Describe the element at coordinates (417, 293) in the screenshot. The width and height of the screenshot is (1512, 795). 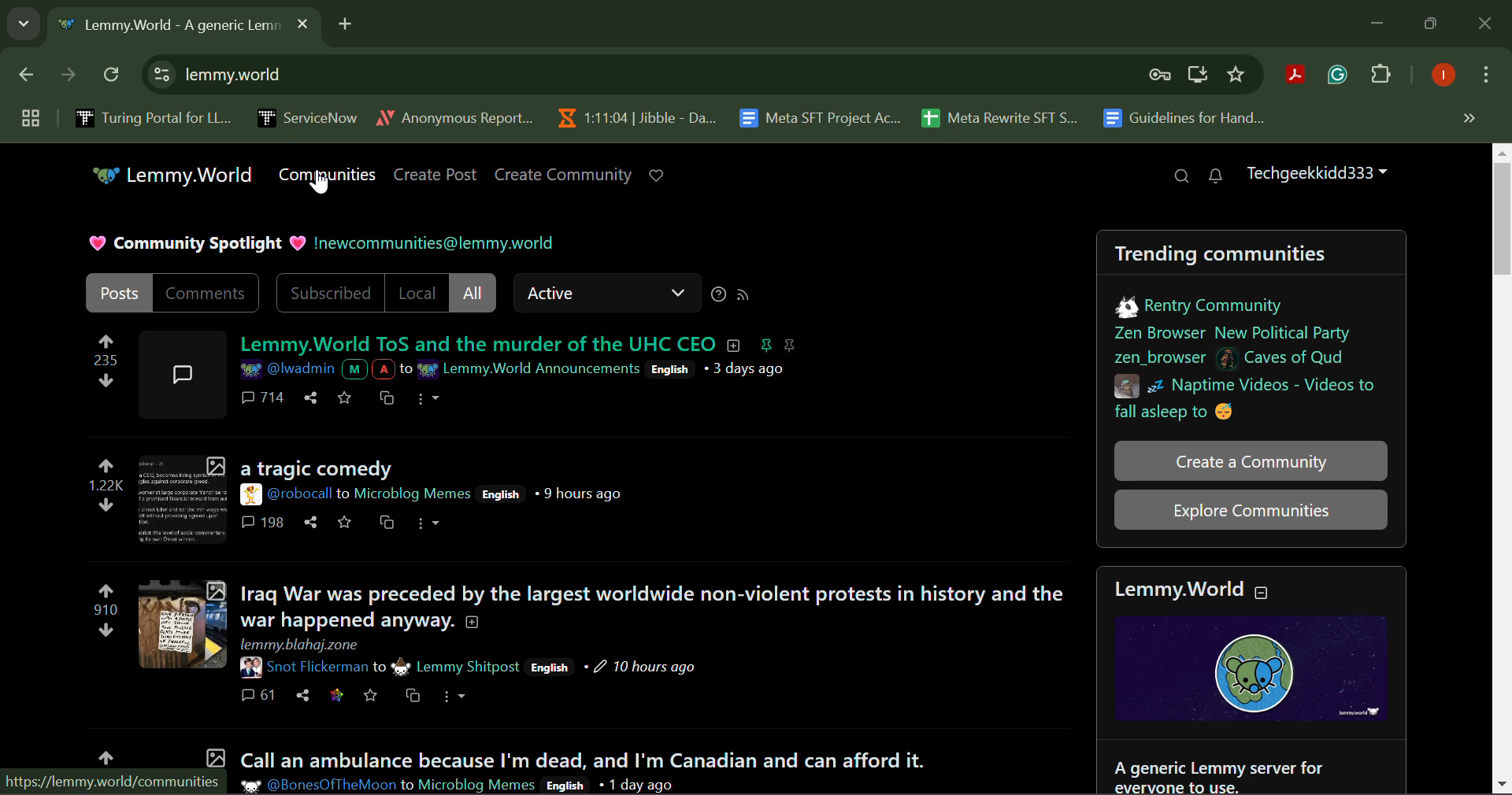
I see `Local Filter Unselected` at that location.